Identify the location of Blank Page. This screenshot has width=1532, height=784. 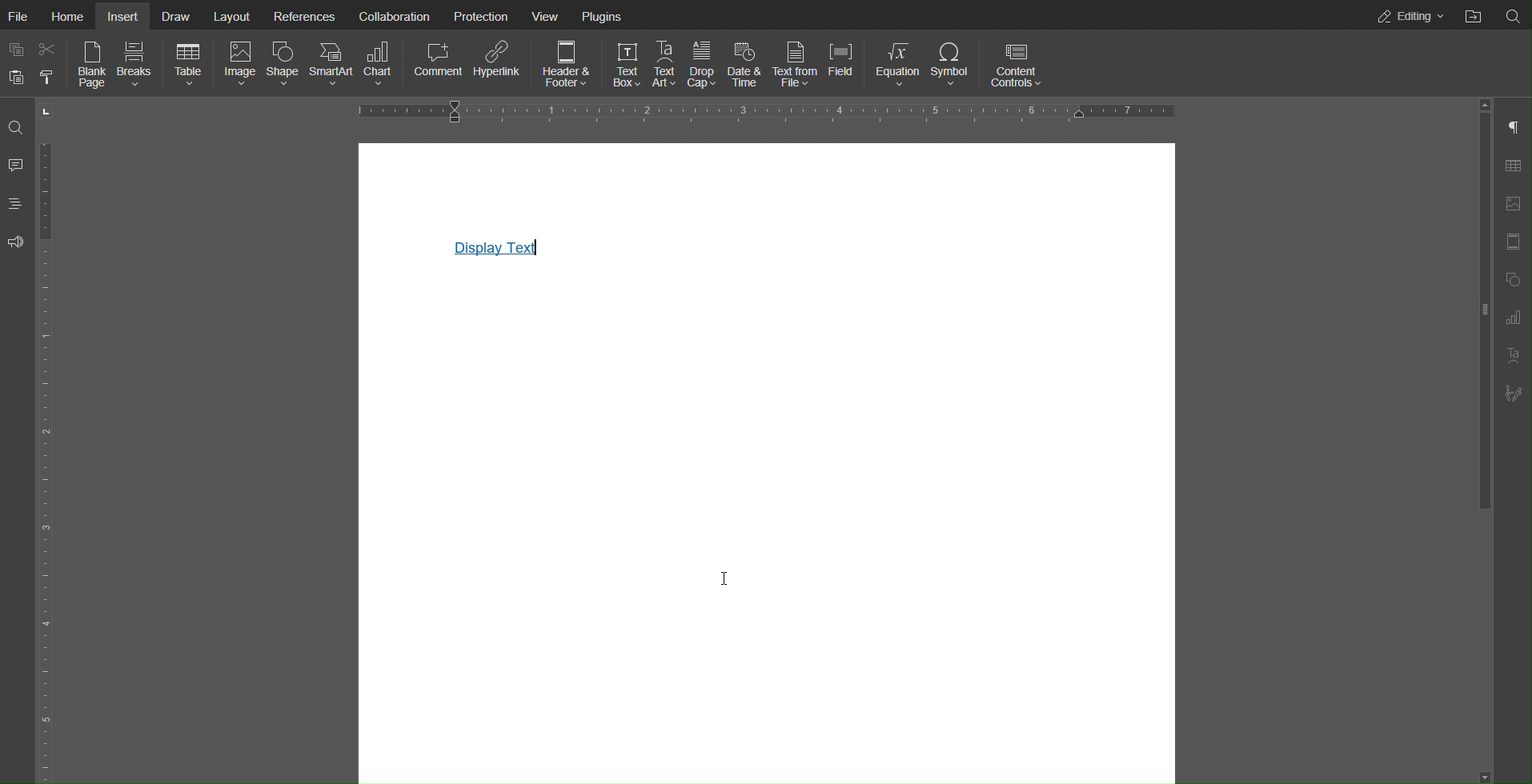
(92, 66).